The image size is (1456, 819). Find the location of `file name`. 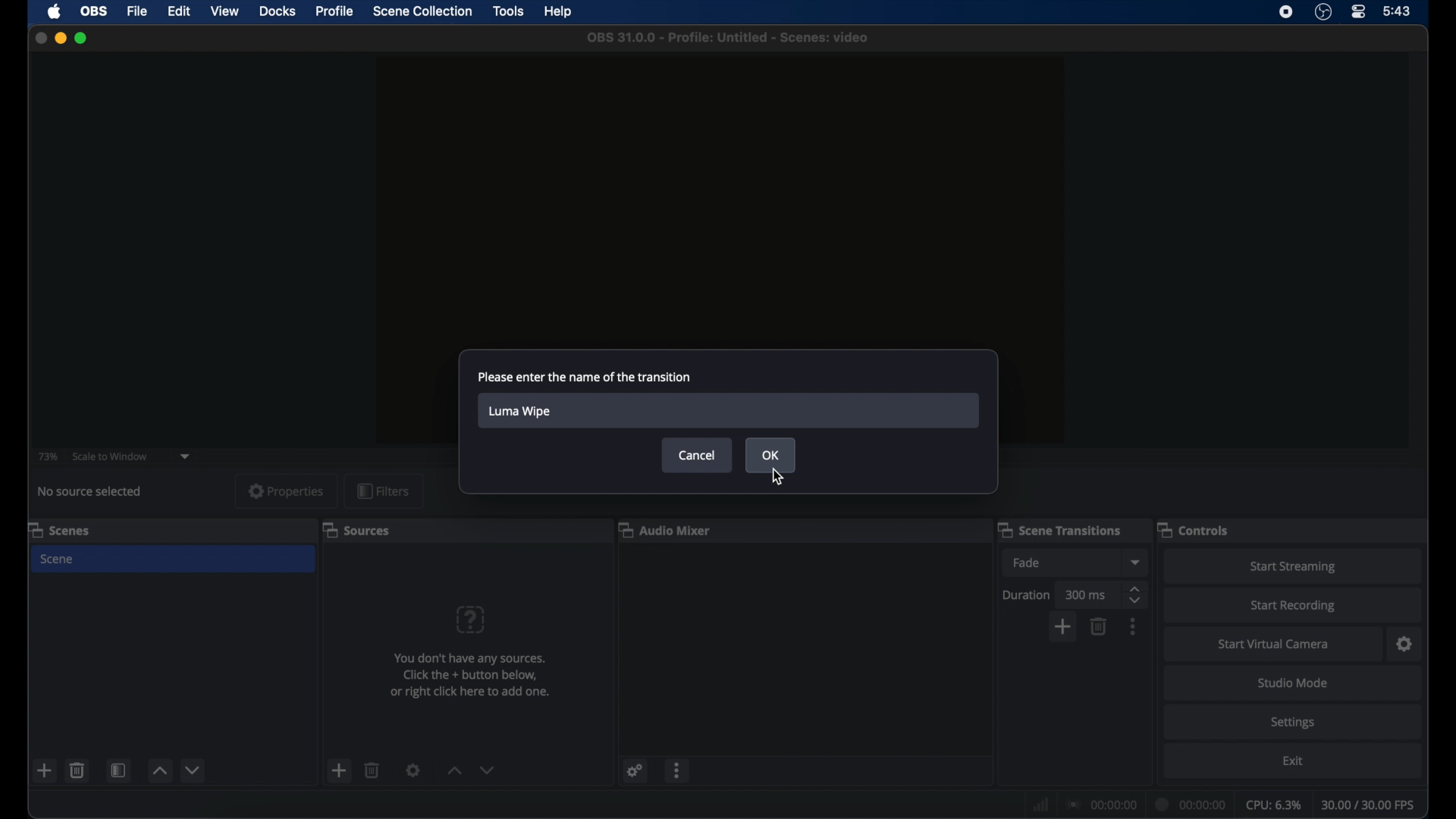

file name is located at coordinates (730, 37).